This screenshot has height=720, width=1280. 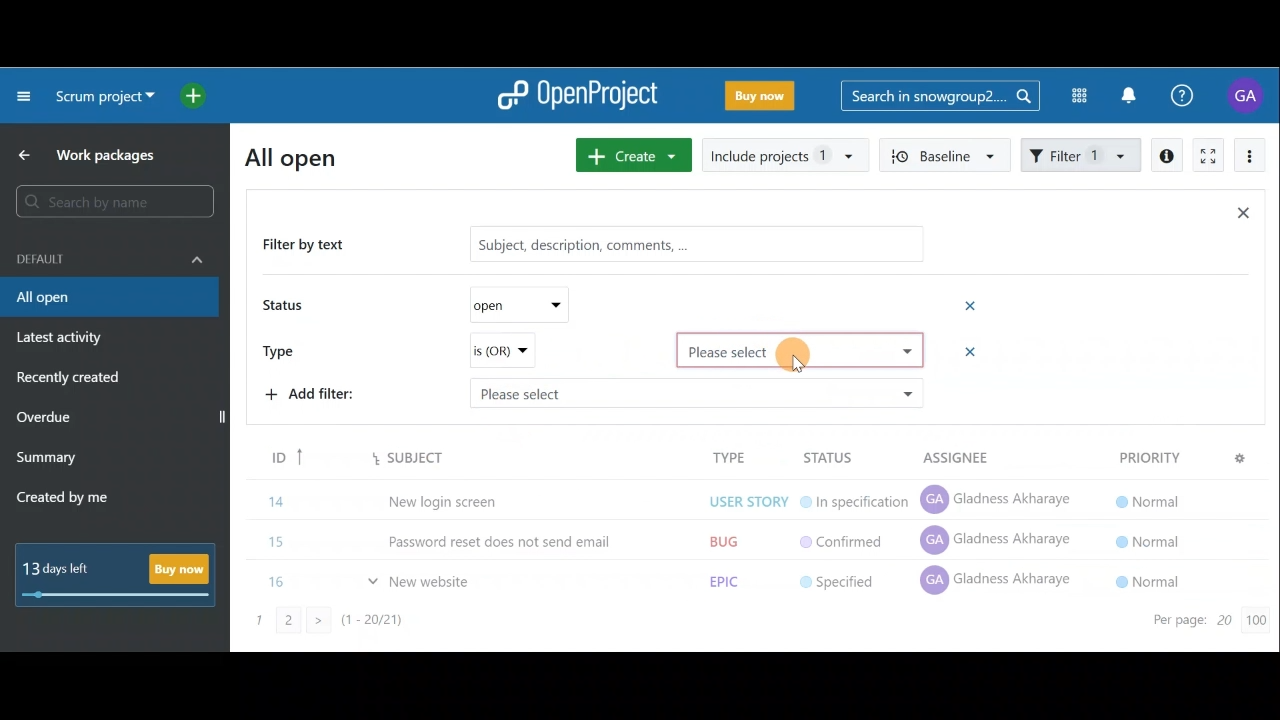 I want to click on Open quick add menu, so click(x=197, y=96).